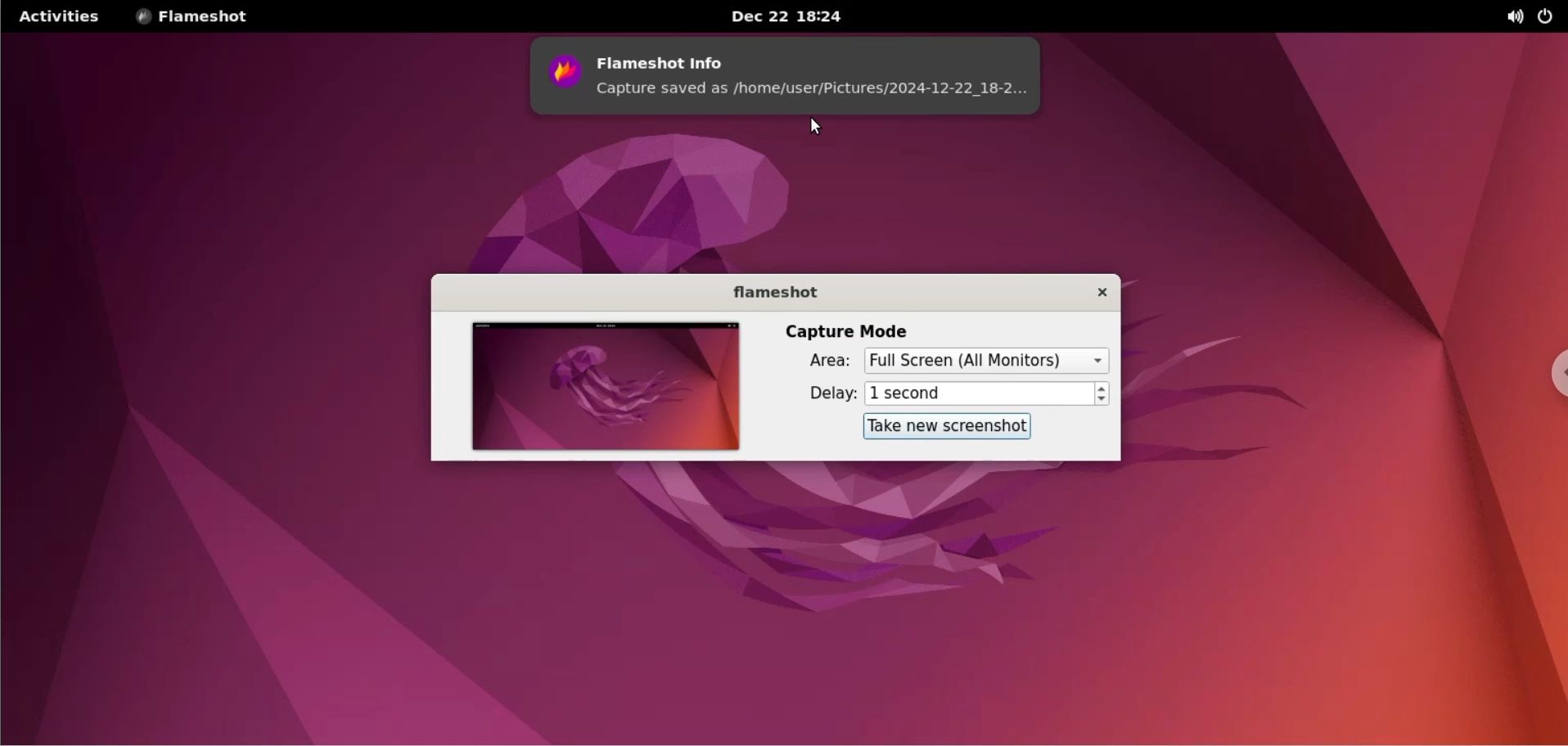 The width and height of the screenshot is (1568, 746). What do you see at coordinates (1548, 361) in the screenshot?
I see `chrome options` at bounding box center [1548, 361].